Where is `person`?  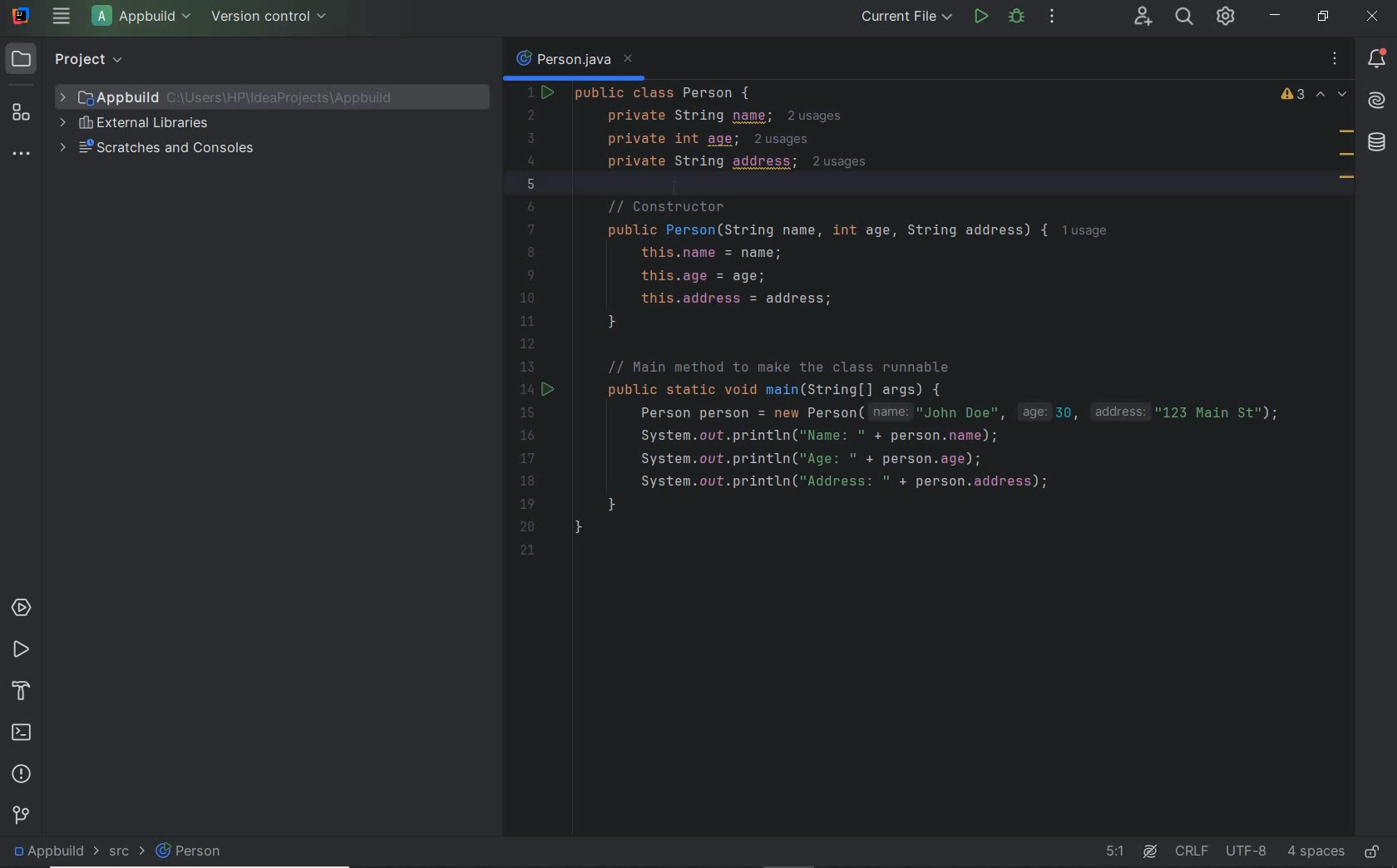 person is located at coordinates (205, 855).